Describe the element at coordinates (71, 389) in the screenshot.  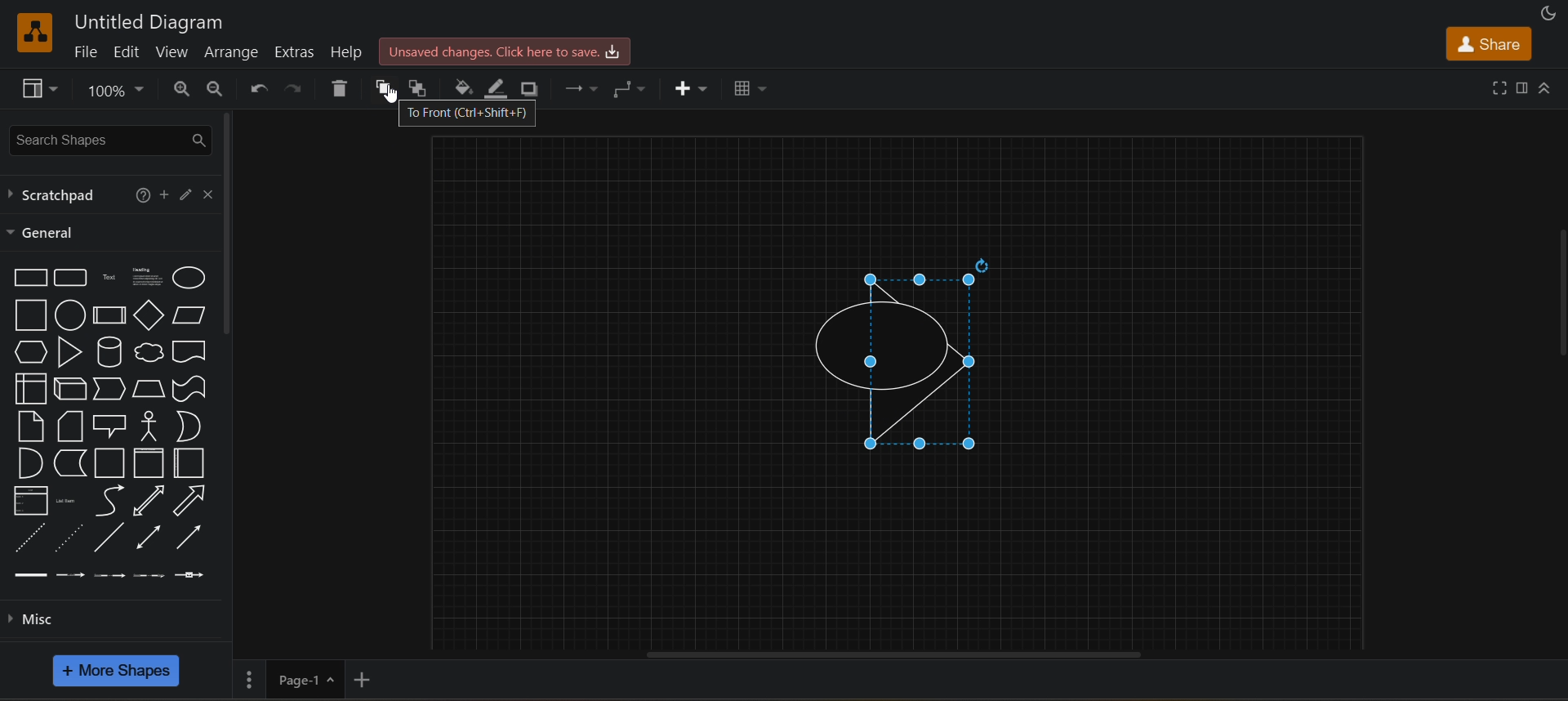
I see `cube` at that location.